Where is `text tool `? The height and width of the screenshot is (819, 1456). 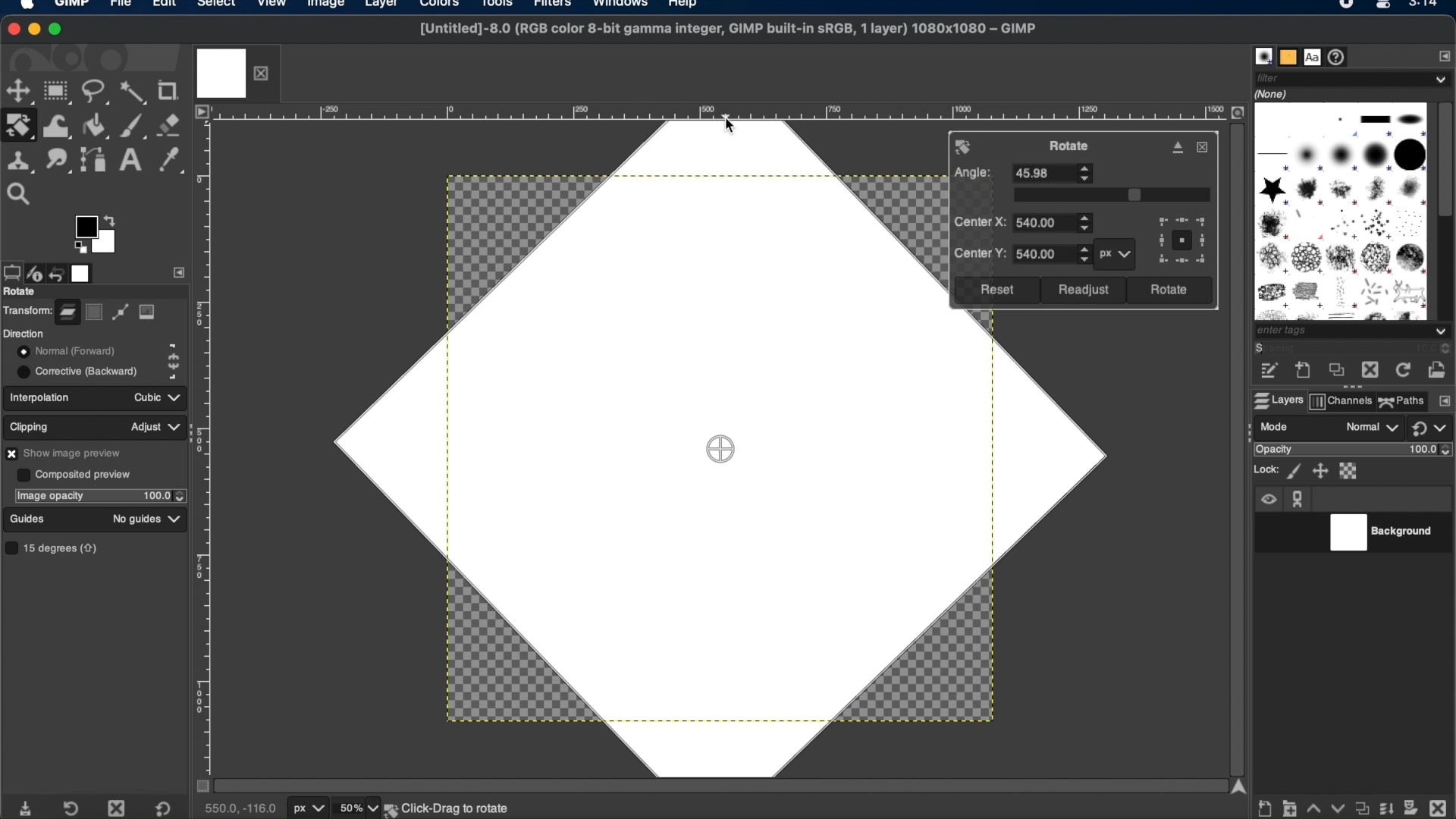 text tool  is located at coordinates (130, 160).